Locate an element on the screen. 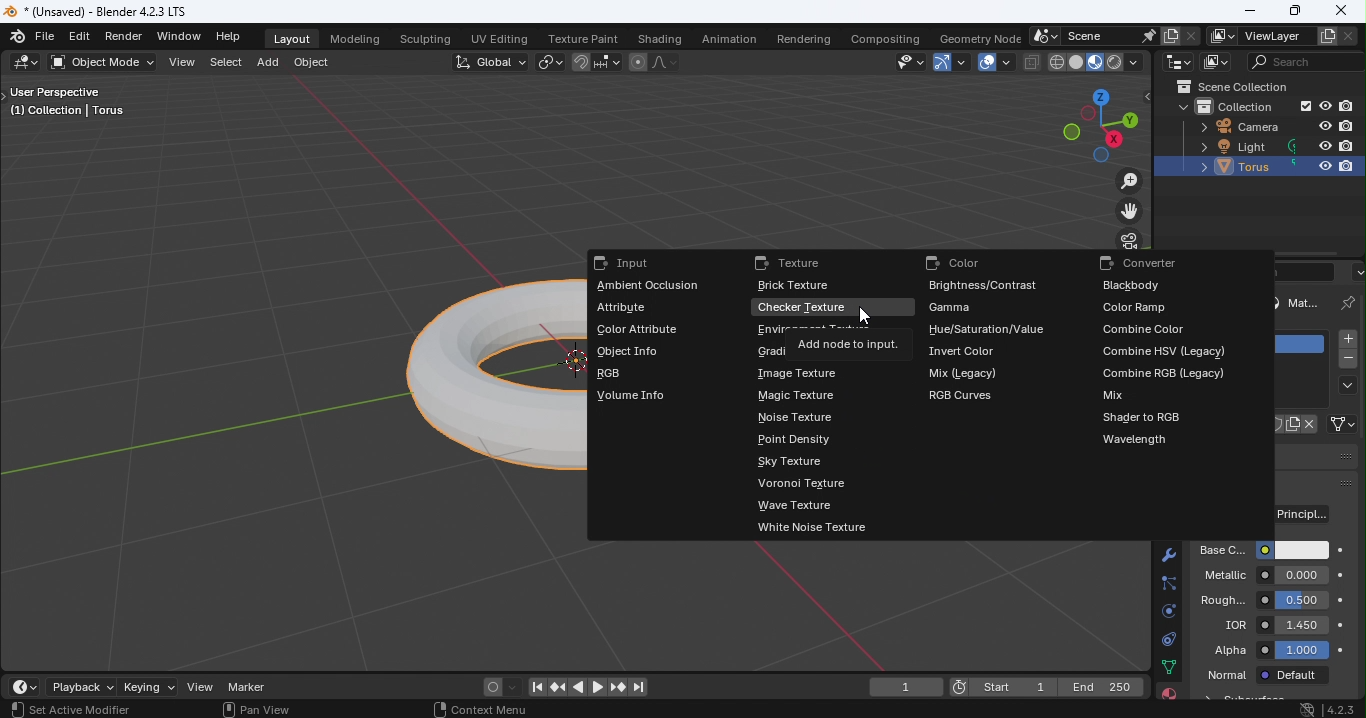 The image size is (1366, 718). Anime property is located at coordinates (1344, 576).